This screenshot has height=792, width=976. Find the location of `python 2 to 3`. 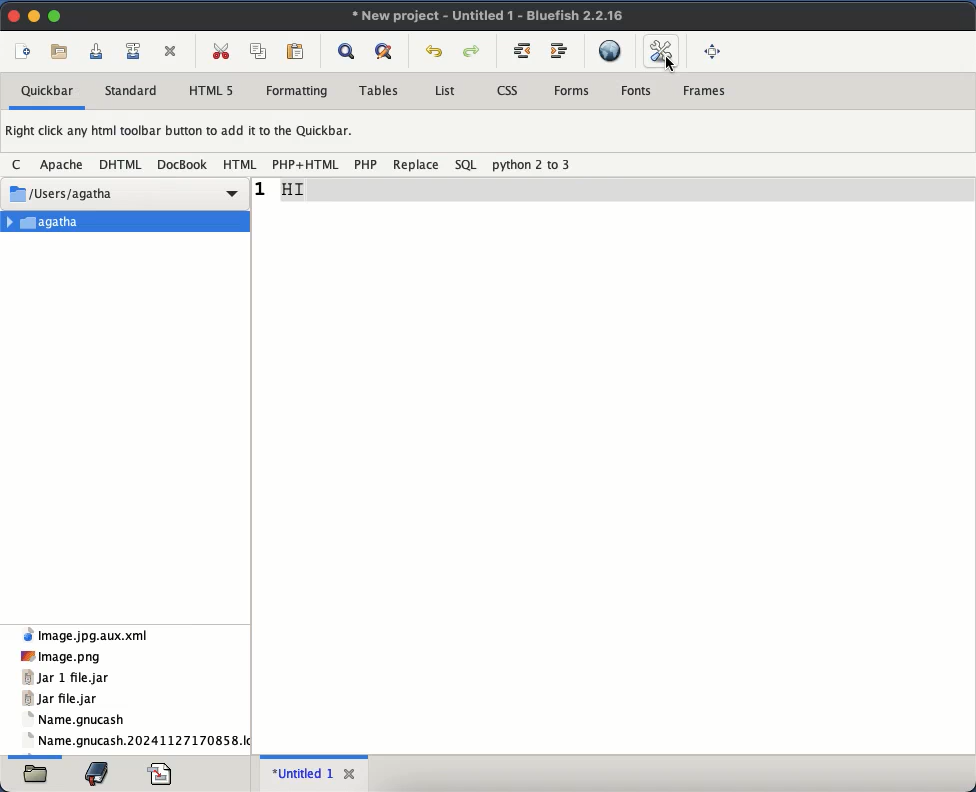

python 2 to 3 is located at coordinates (534, 165).